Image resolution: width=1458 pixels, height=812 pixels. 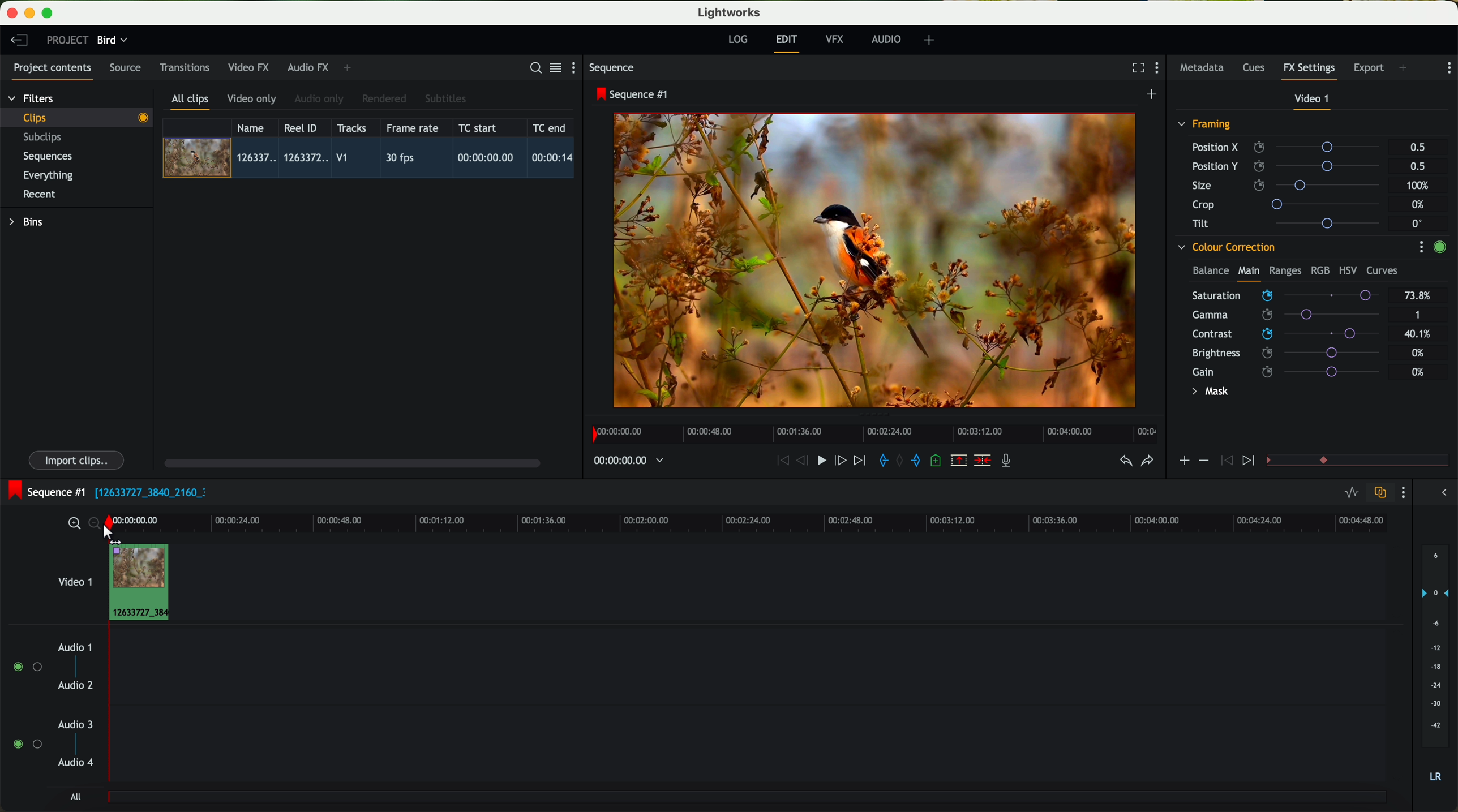 What do you see at coordinates (1225, 247) in the screenshot?
I see `colour correction` at bounding box center [1225, 247].